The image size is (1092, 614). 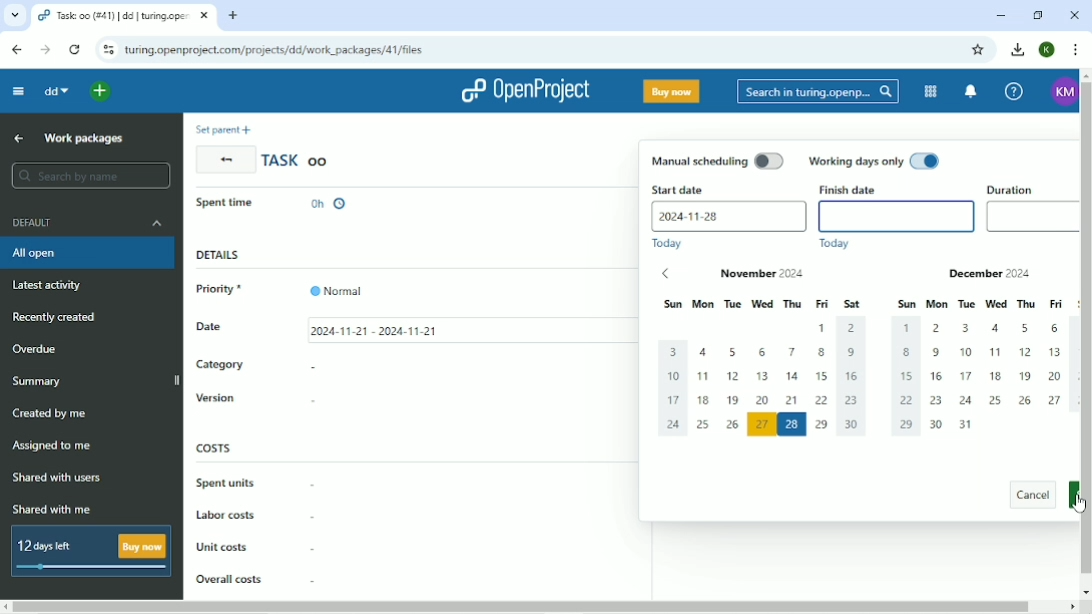 What do you see at coordinates (672, 92) in the screenshot?
I see `Buy now` at bounding box center [672, 92].